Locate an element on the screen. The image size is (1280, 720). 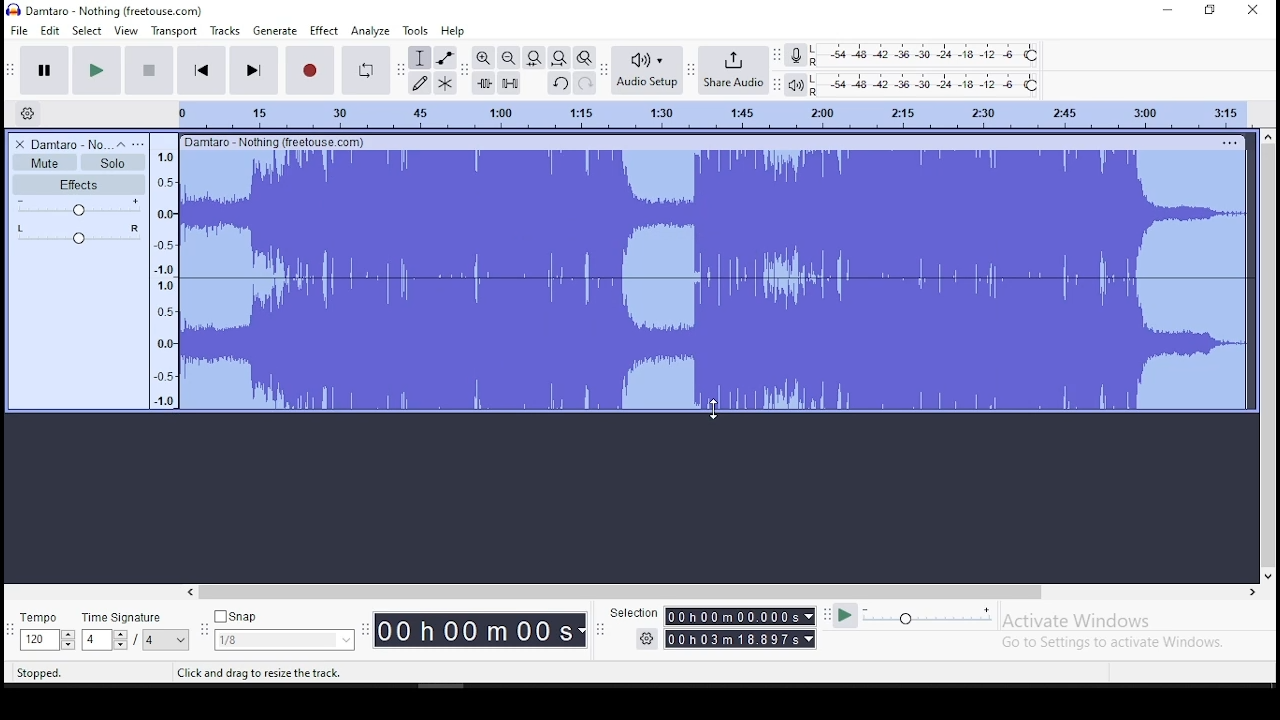
edit is located at coordinates (52, 30).